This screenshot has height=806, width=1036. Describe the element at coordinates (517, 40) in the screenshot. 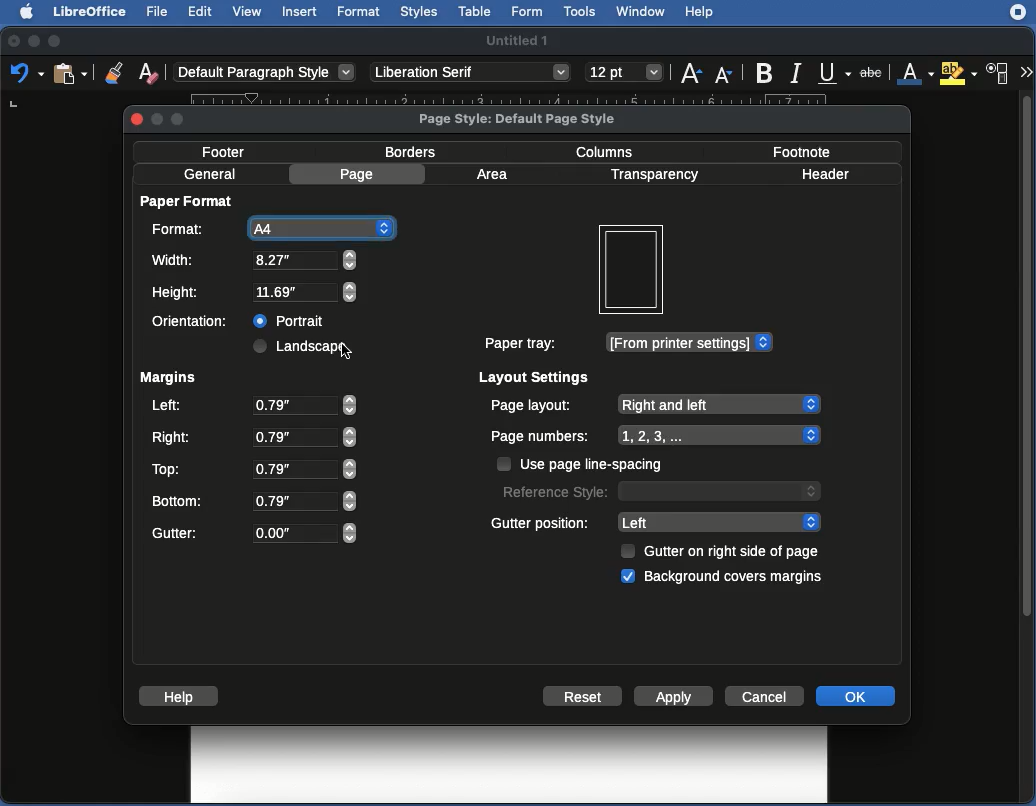

I see `Name` at that location.